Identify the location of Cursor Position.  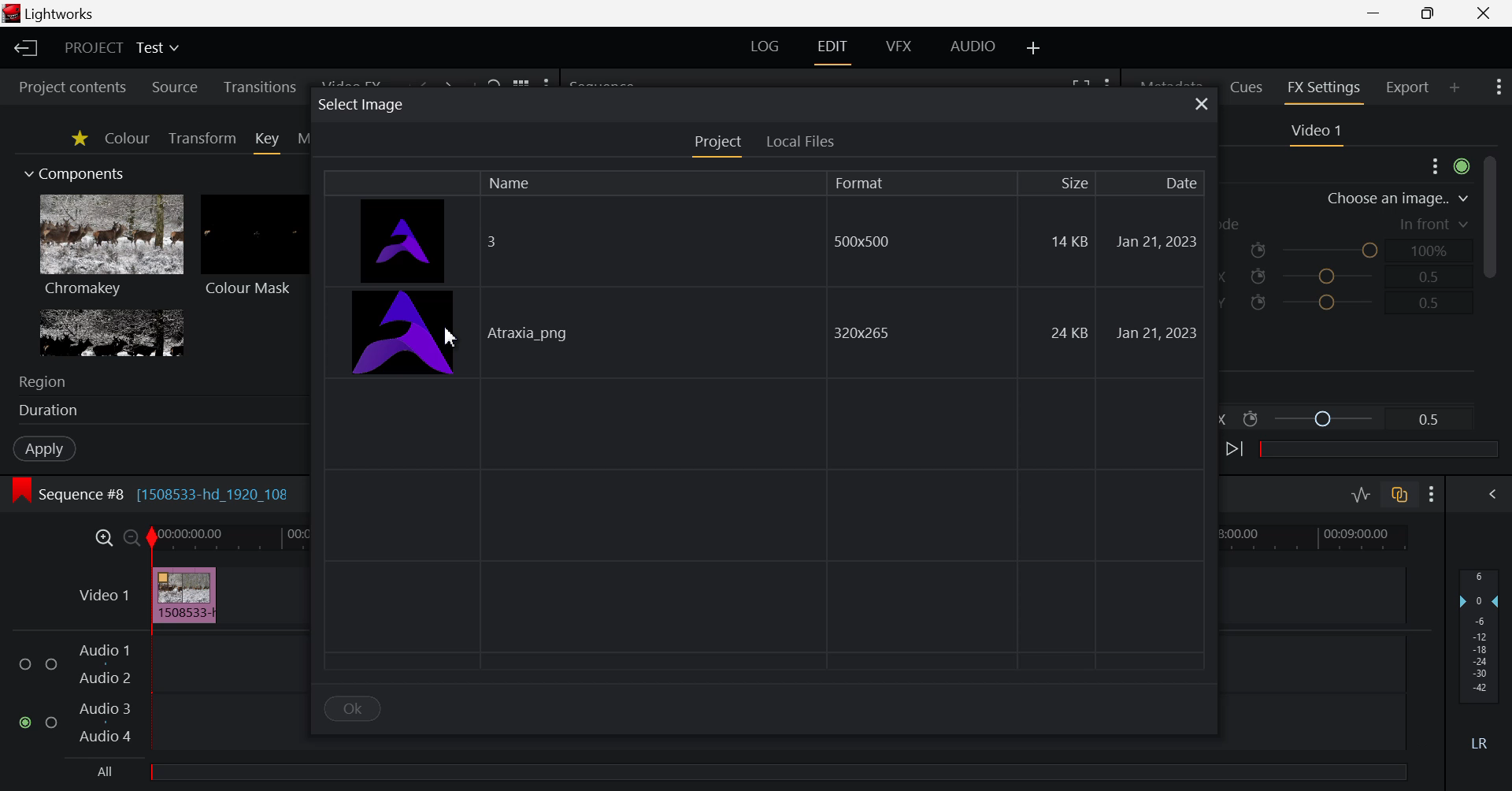
(452, 337).